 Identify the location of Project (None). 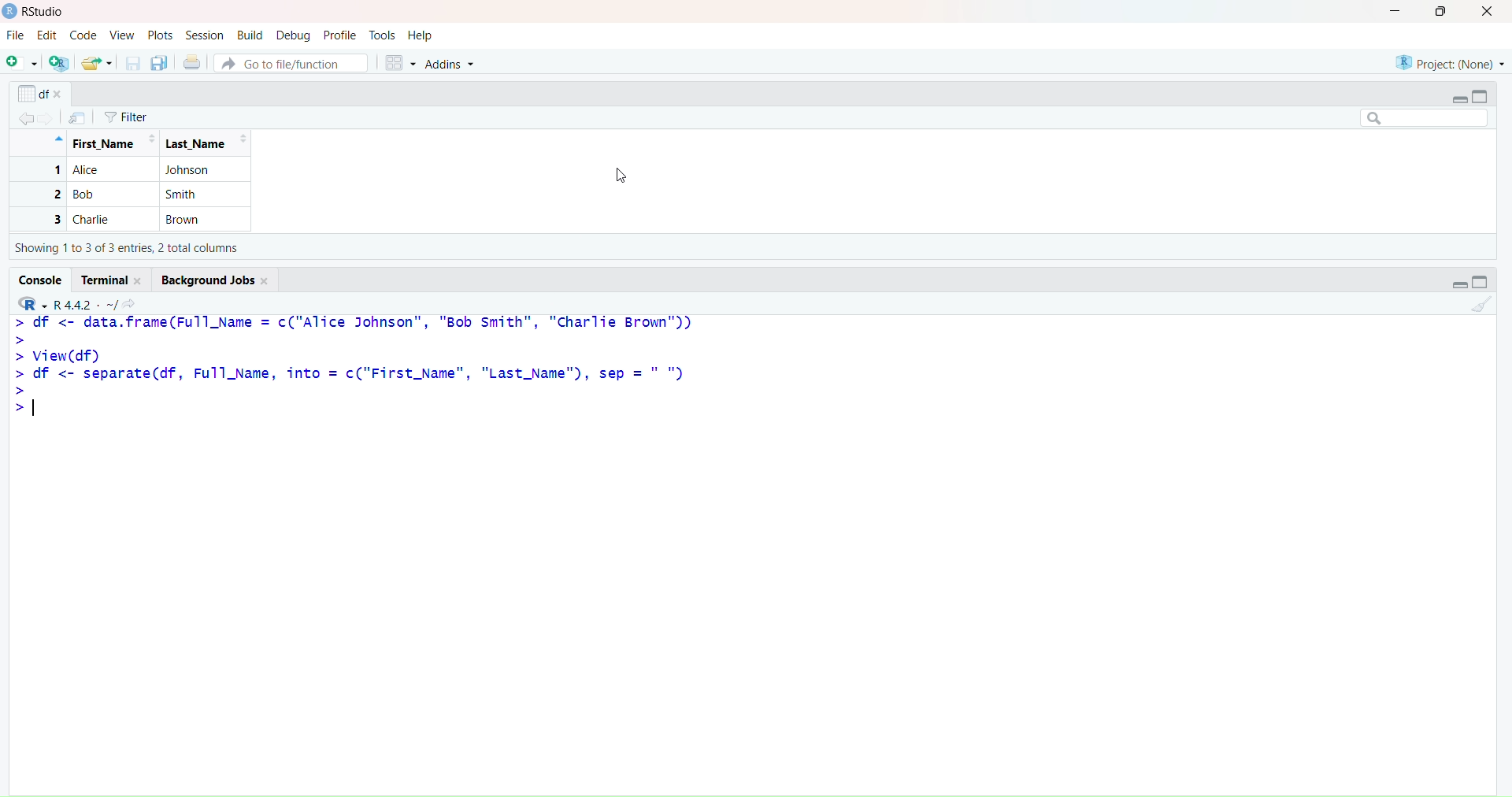
(1449, 57).